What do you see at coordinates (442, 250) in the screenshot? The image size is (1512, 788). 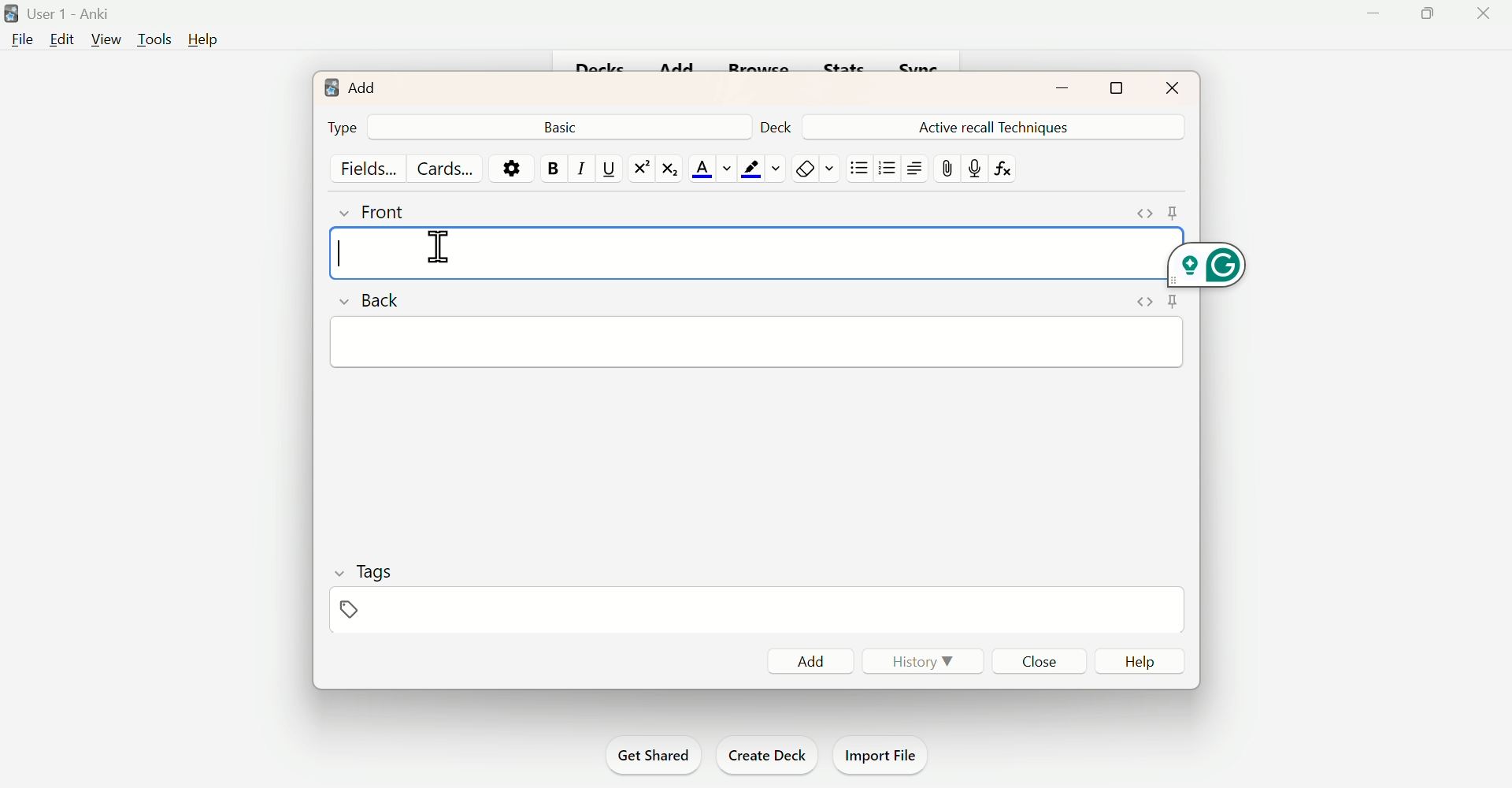 I see `Cursor` at bounding box center [442, 250].